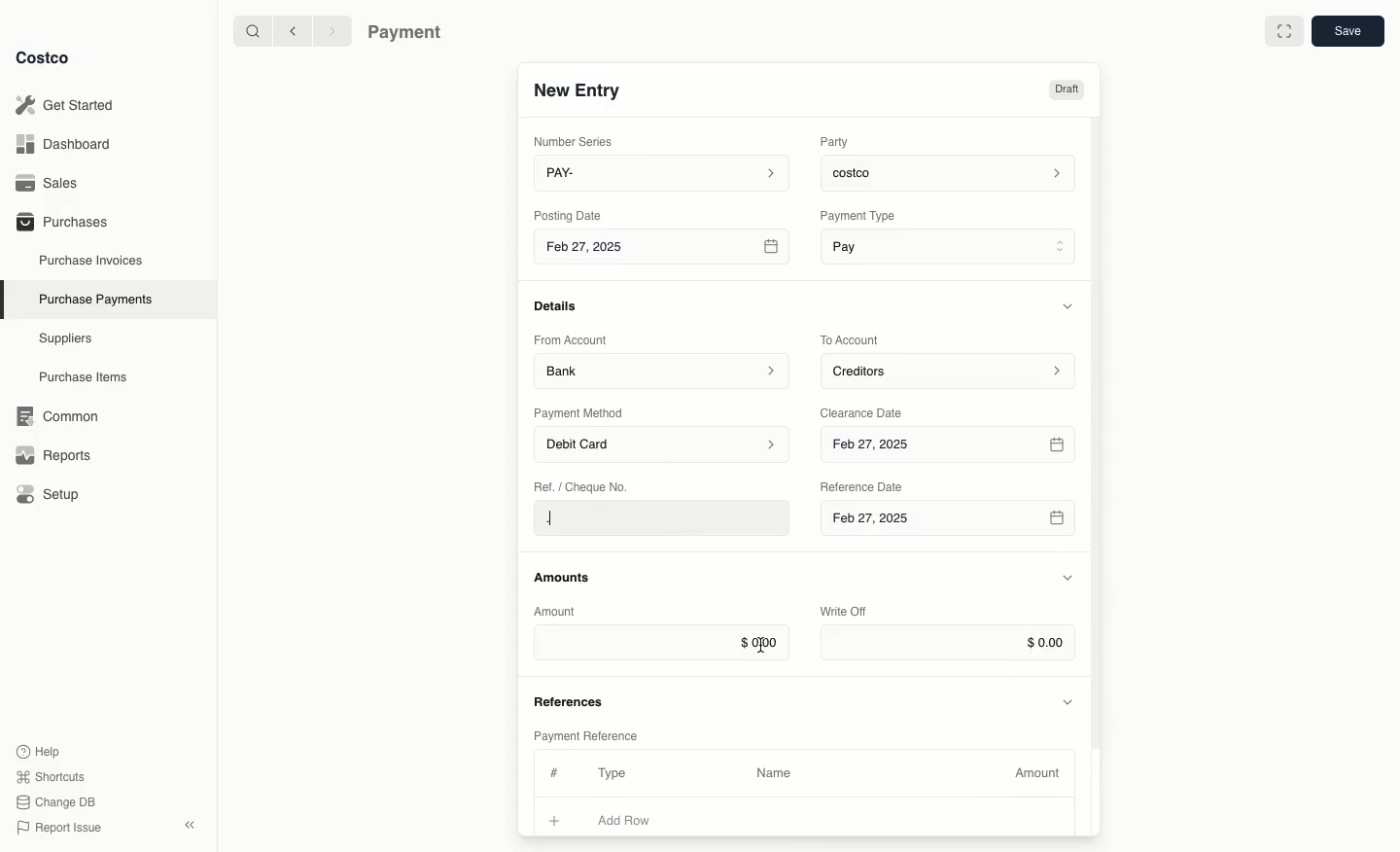  Describe the element at coordinates (550, 521) in the screenshot. I see `cursor` at that location.